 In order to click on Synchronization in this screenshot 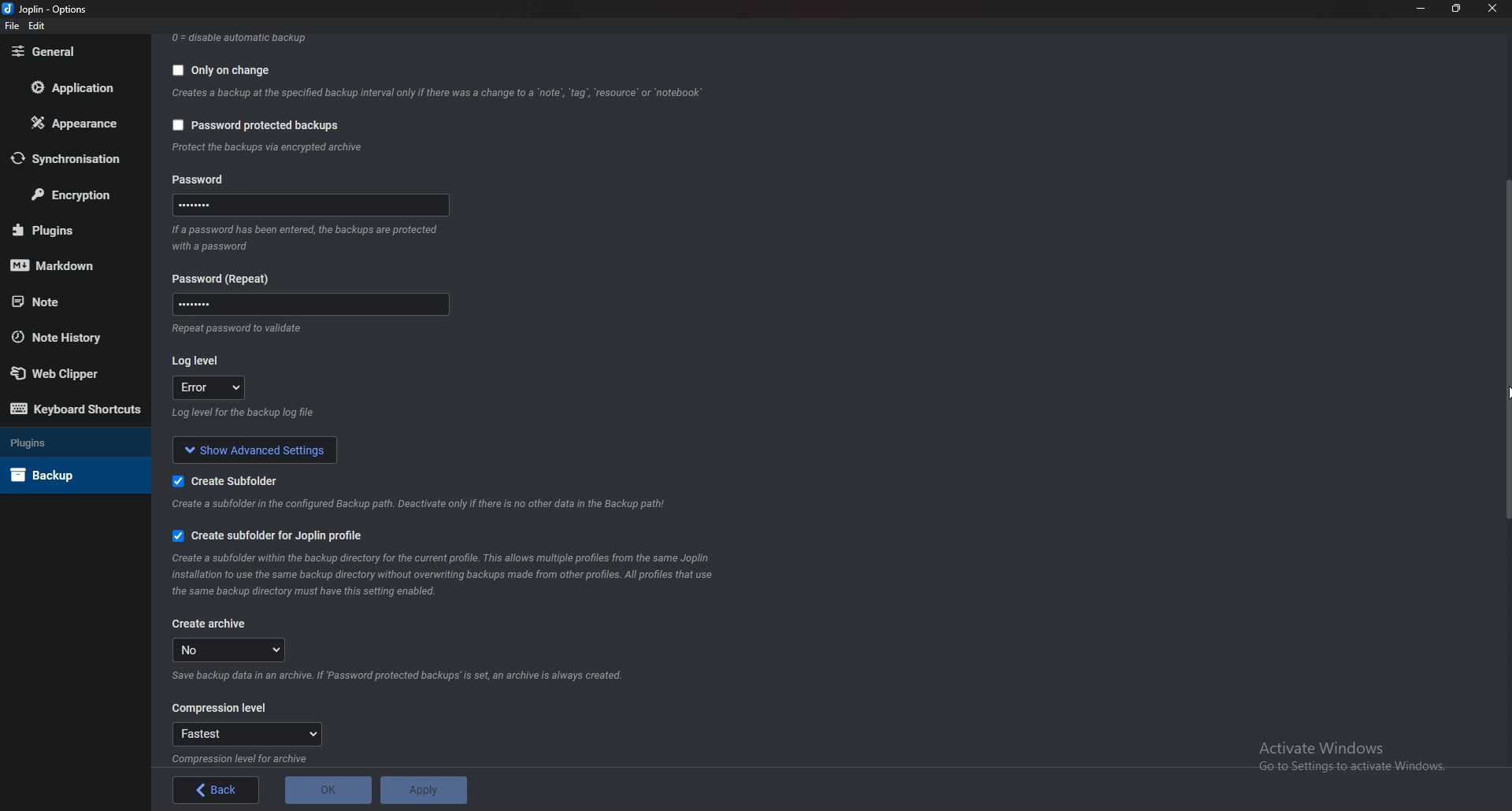, I will do `click(76, 161)`.